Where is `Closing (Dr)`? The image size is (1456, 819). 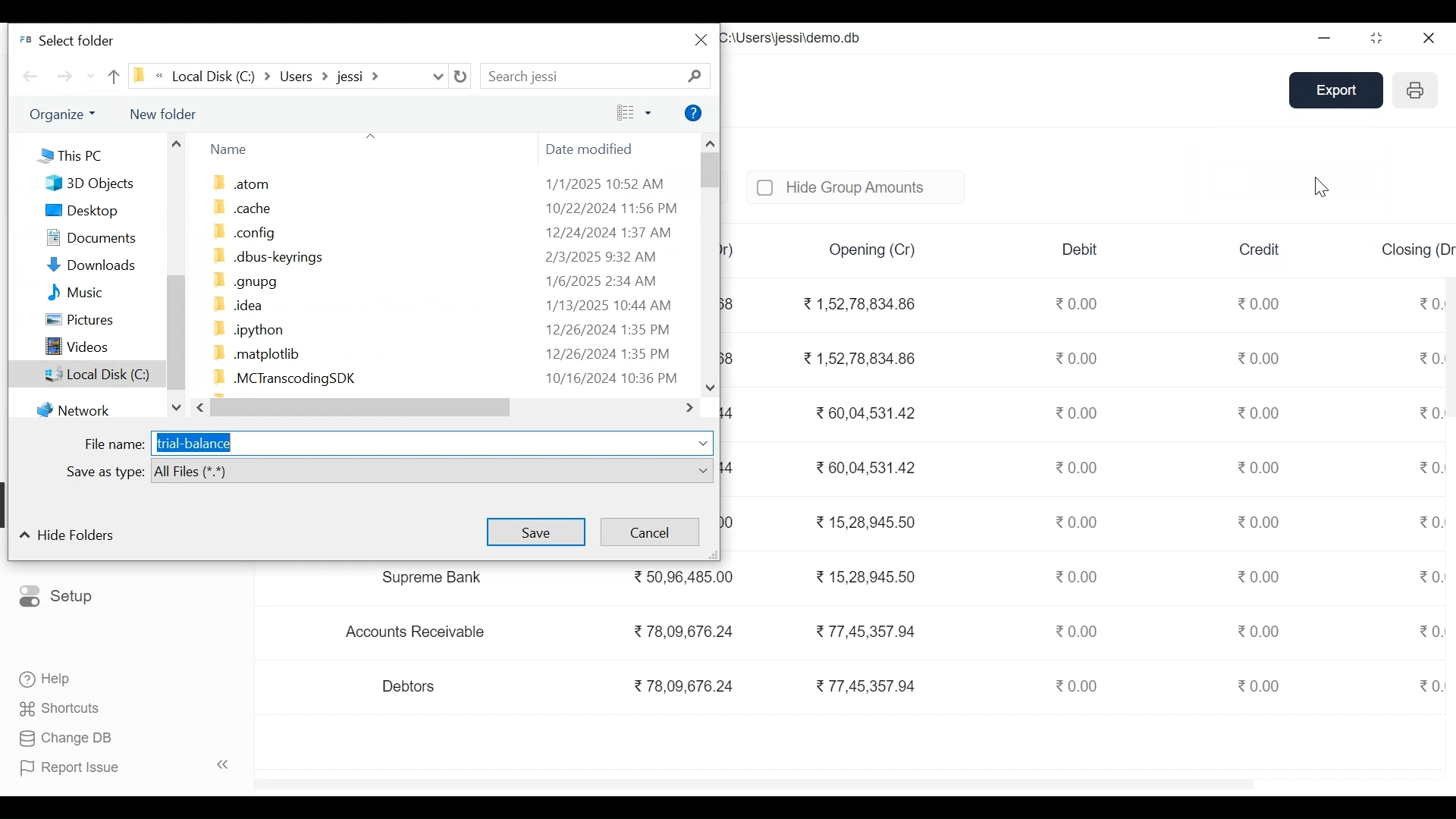
Closing (Dr) is located at coordinates (1417, 247).